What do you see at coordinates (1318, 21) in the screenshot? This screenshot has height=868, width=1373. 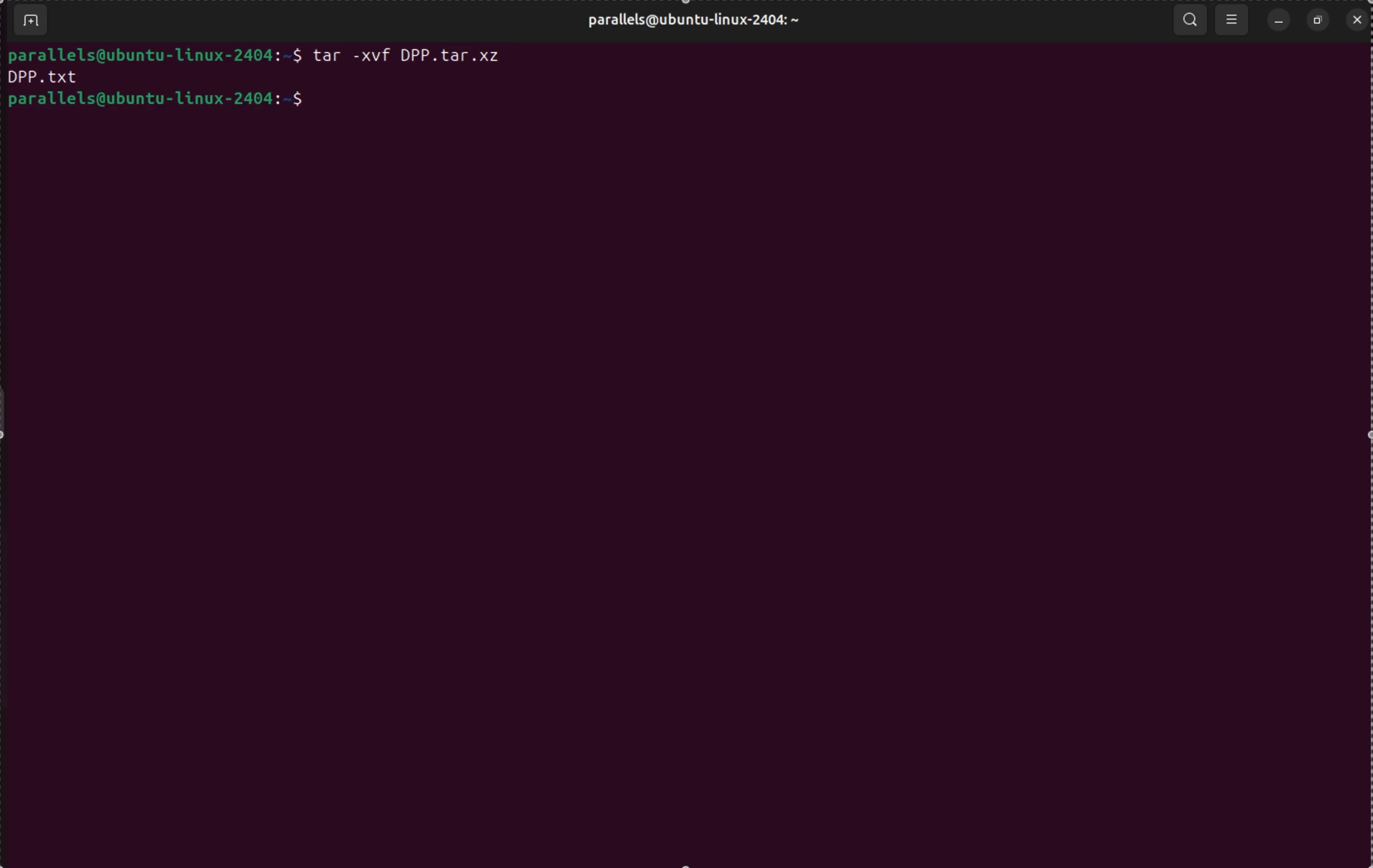 I see `resize` at bounding box center [1318, 21].